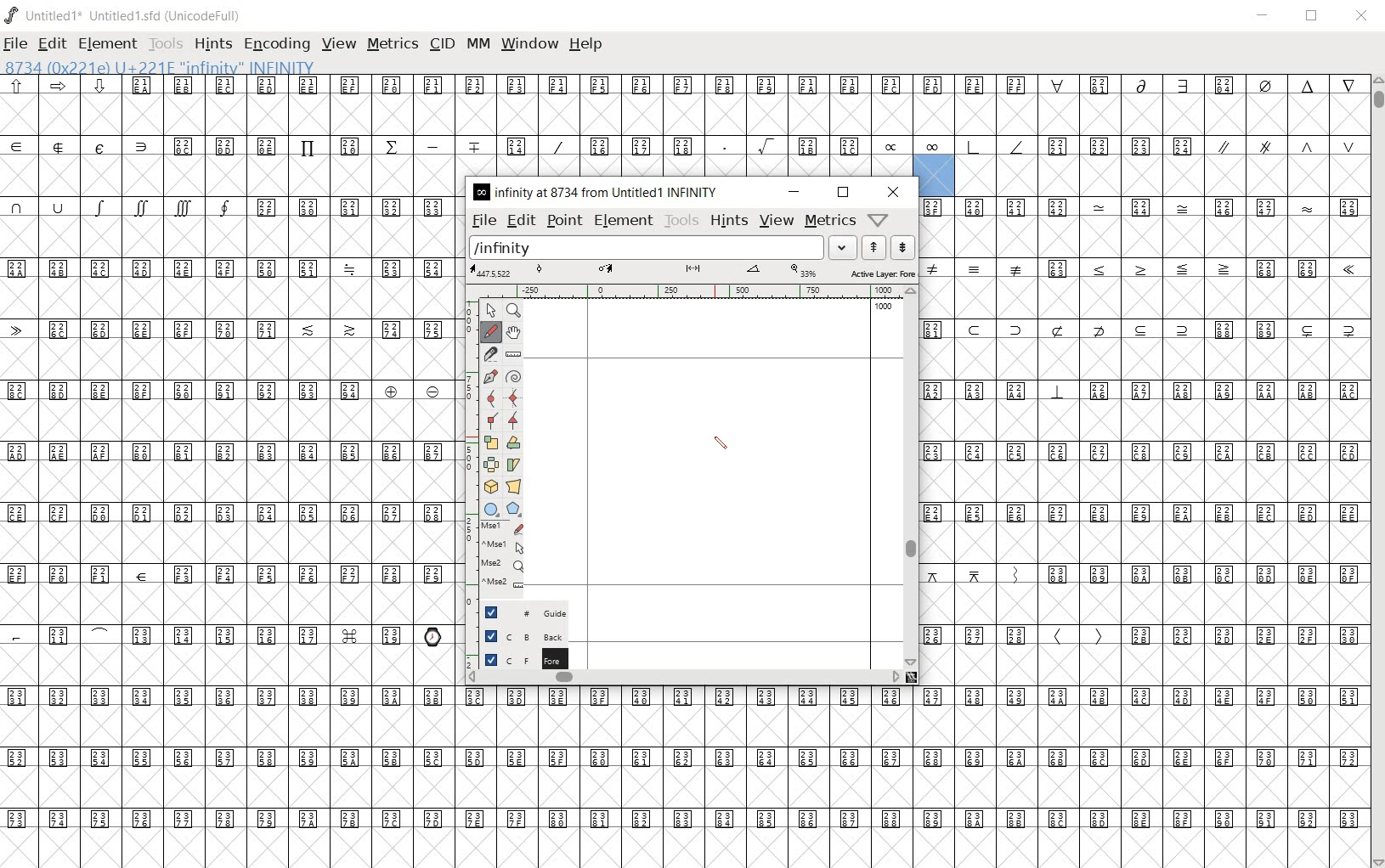 The width and height of the screenshot is (1385, 868). What do you see at coordinates (491, 399) in the screenshot?
I see `add a curve point` at bounding box center [491, 399].